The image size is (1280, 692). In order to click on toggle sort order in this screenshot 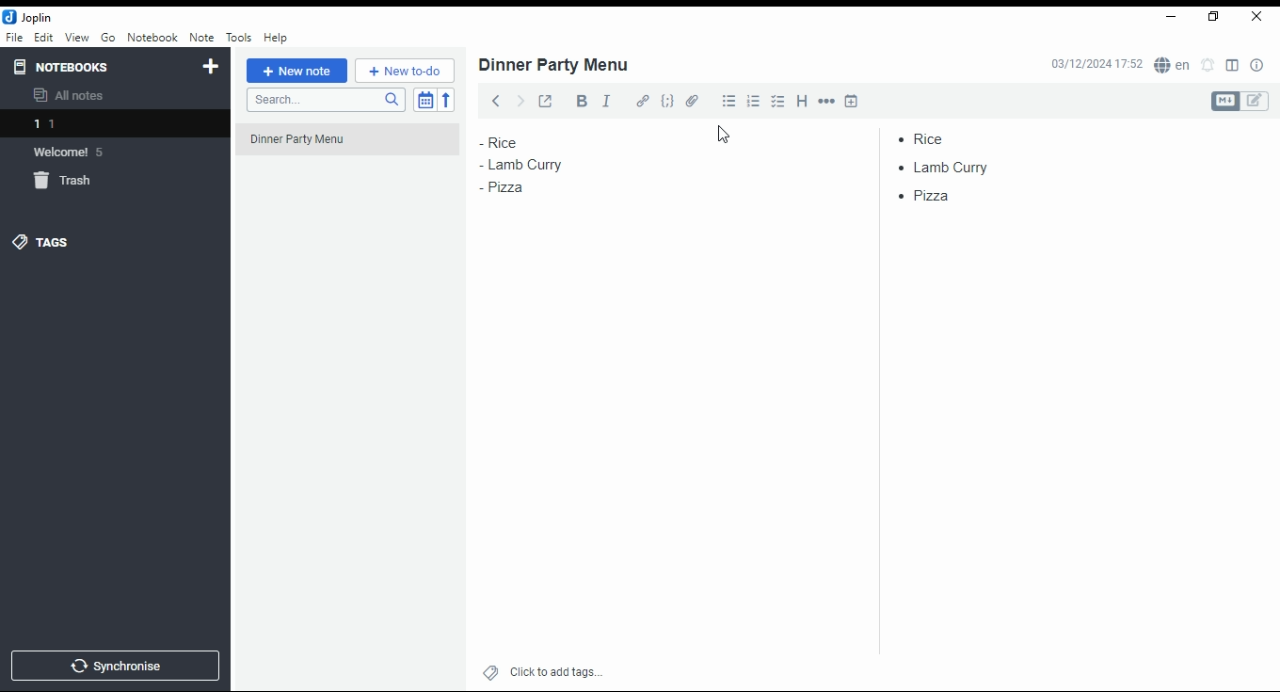, I will do `click(424, 99)`.